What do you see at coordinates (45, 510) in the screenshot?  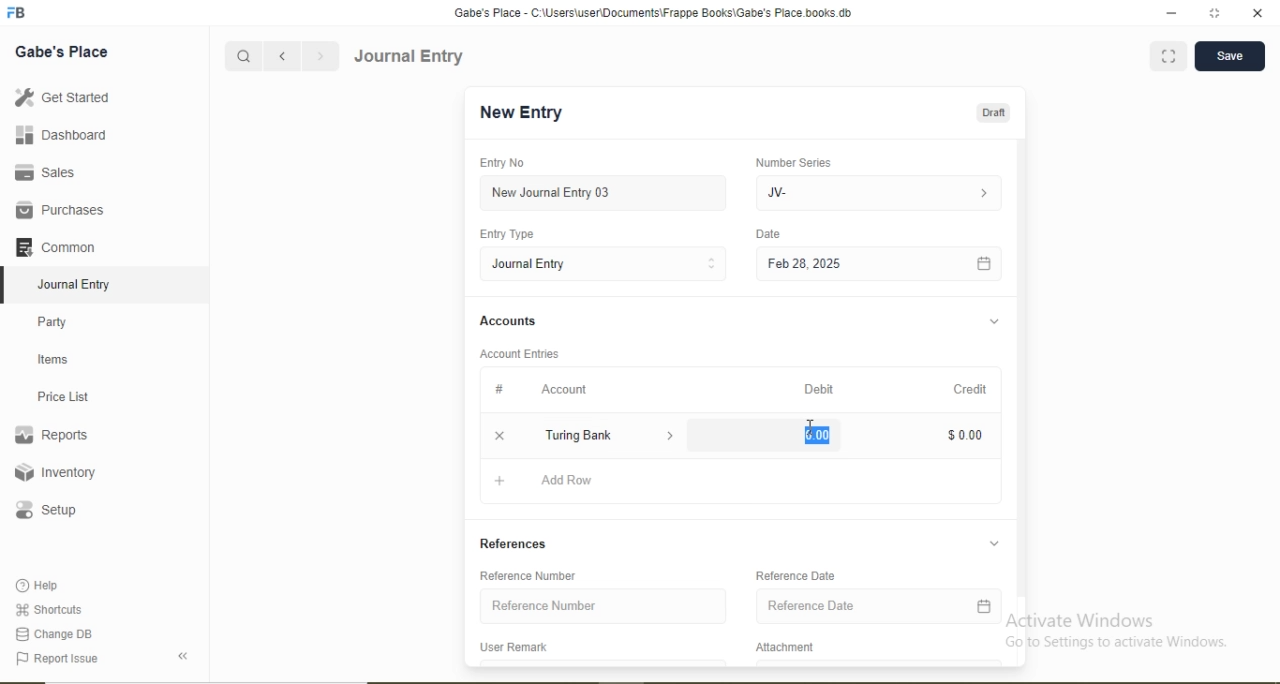 I see `Setup` at bounding box center [45, 510].